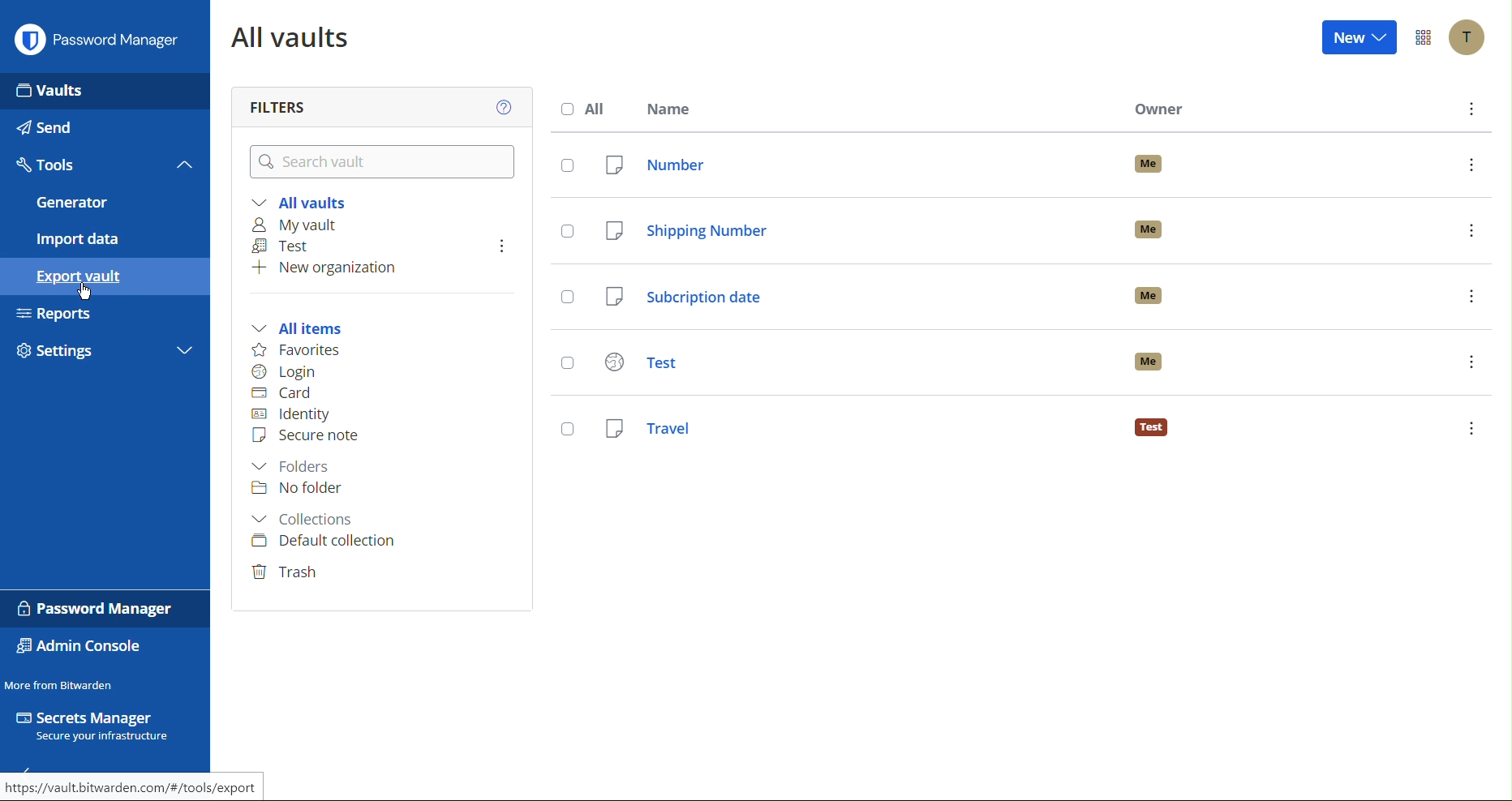 The width and height of the screenshot is (1512, 801). I want to click on Card, so click(284, 394).